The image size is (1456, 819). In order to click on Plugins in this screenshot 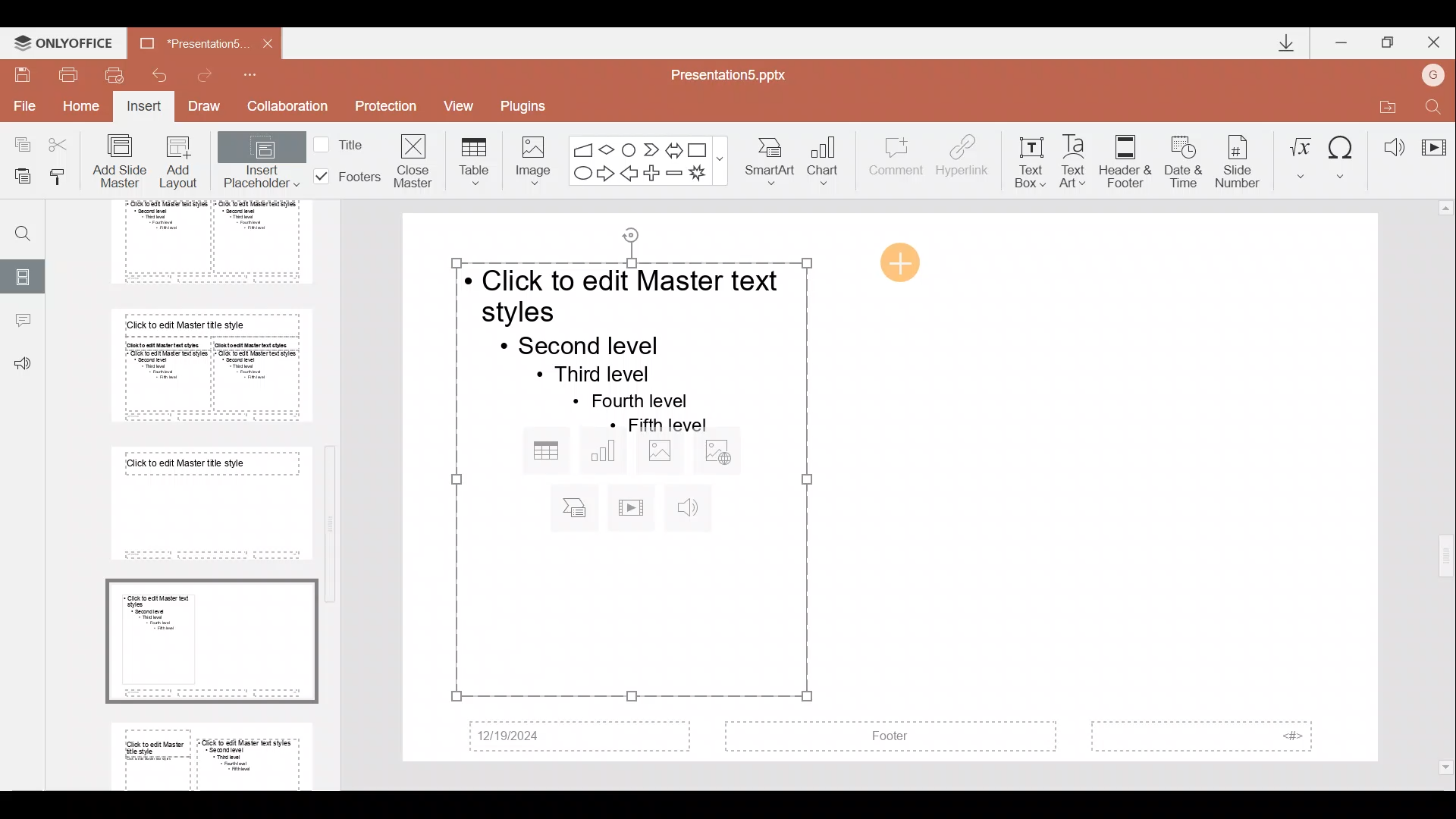, I will do `click(529, 104)`.